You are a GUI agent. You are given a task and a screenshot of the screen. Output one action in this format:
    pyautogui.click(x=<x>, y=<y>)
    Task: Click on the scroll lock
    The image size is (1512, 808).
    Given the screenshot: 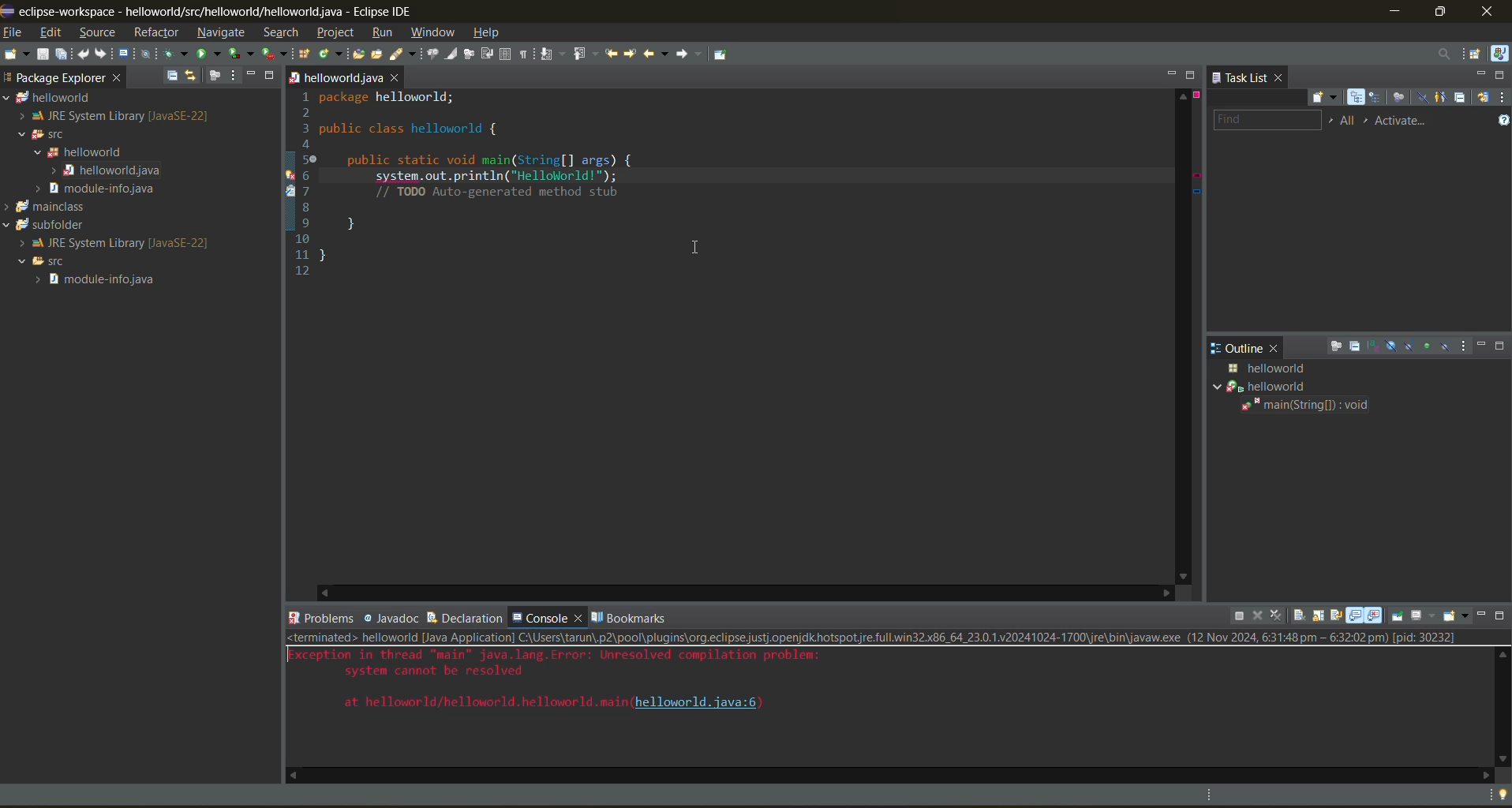 What is the action you would take?
    pyautogui.click(x=1320, y=615)
    